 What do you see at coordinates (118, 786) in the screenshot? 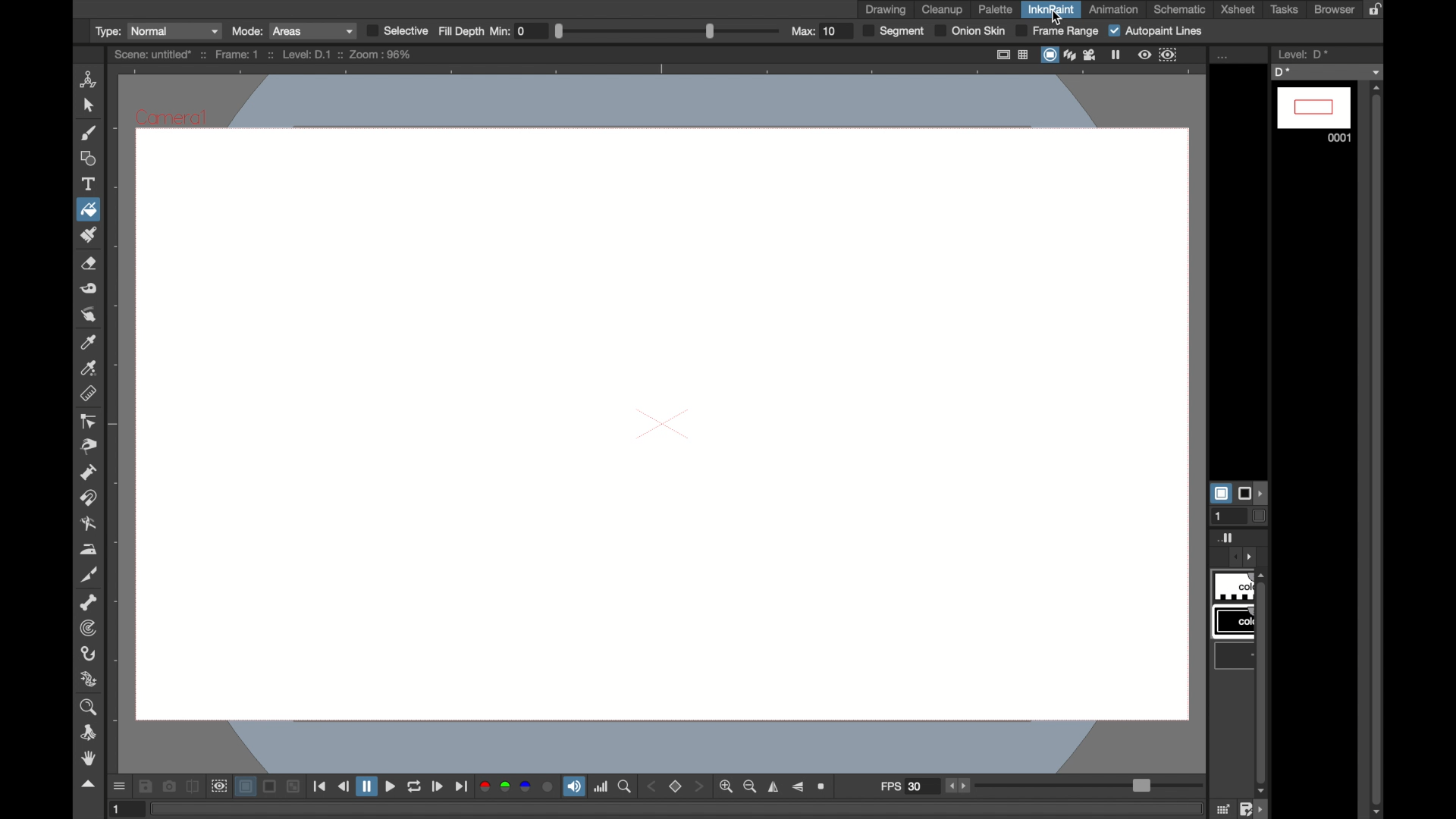
I see `menu` at bounding box center [118, 786].